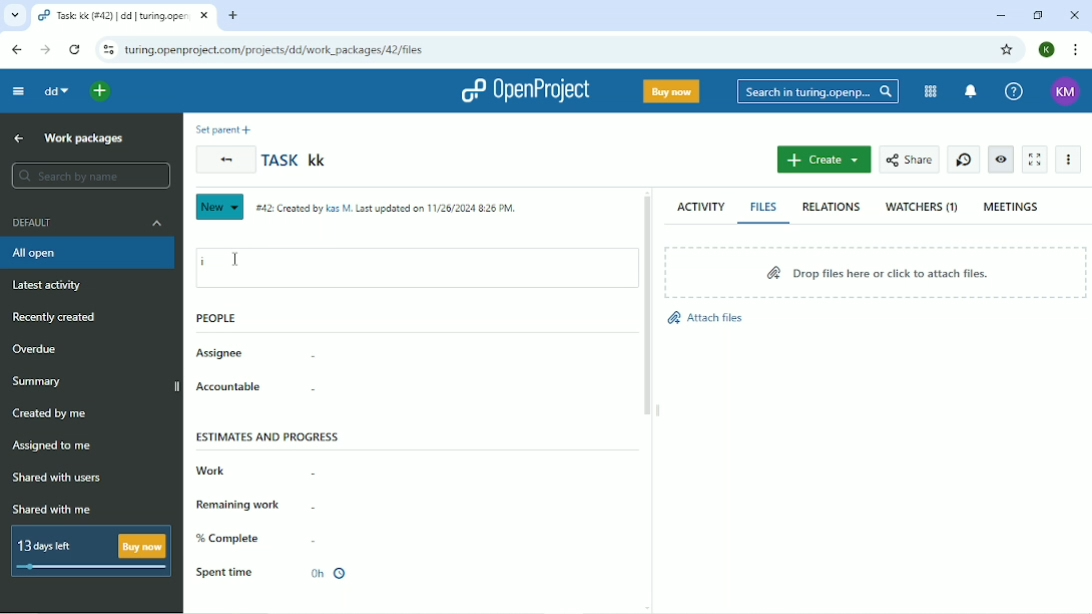 The image size is (1092, 614). What do you see at coordinates (91, 253) in the screenshot?
I see `All open` at bounding box center [91, 253].